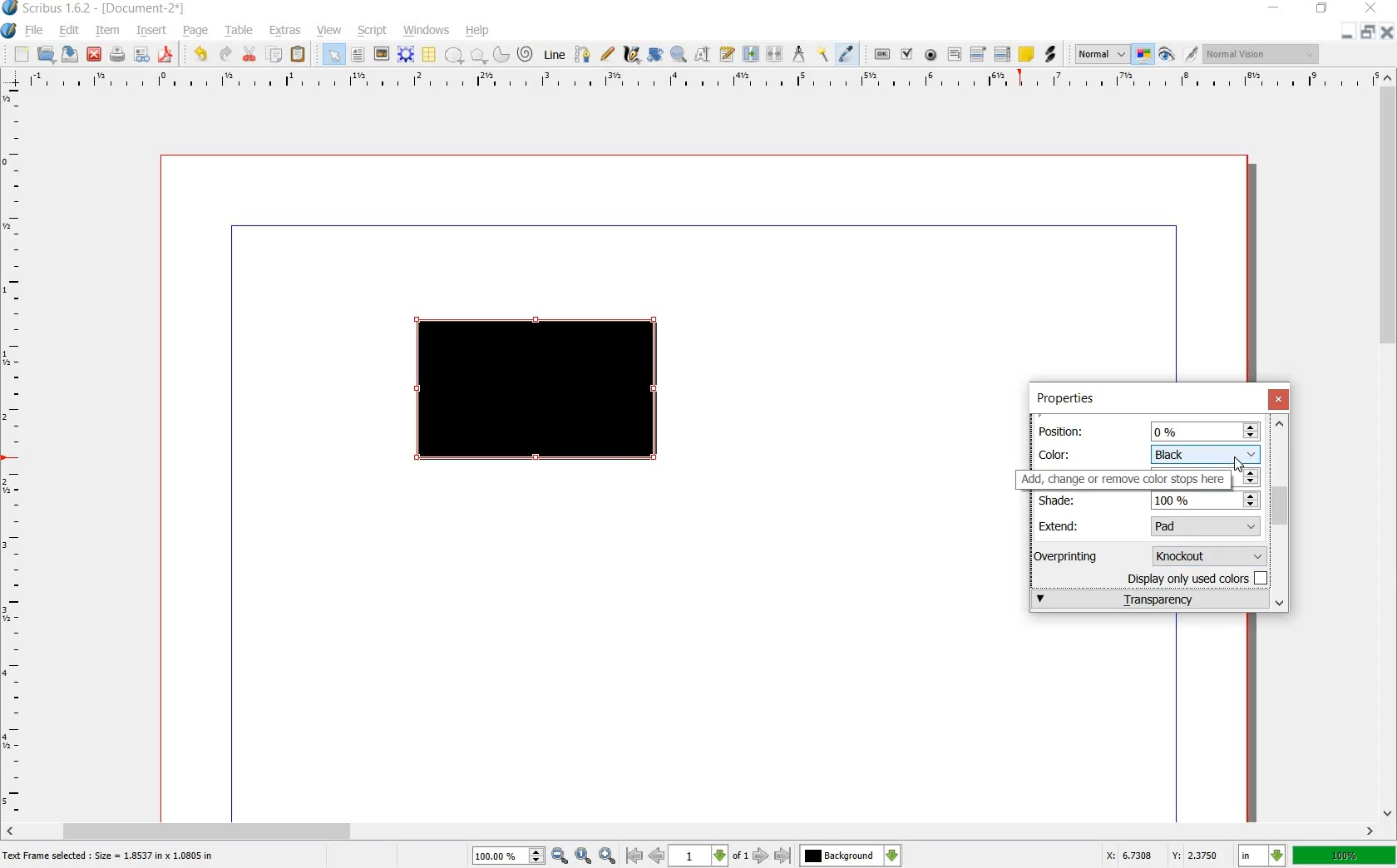 The image size is (1397, 868). I want to click on visual appearance of the display, so click(1264, 53).